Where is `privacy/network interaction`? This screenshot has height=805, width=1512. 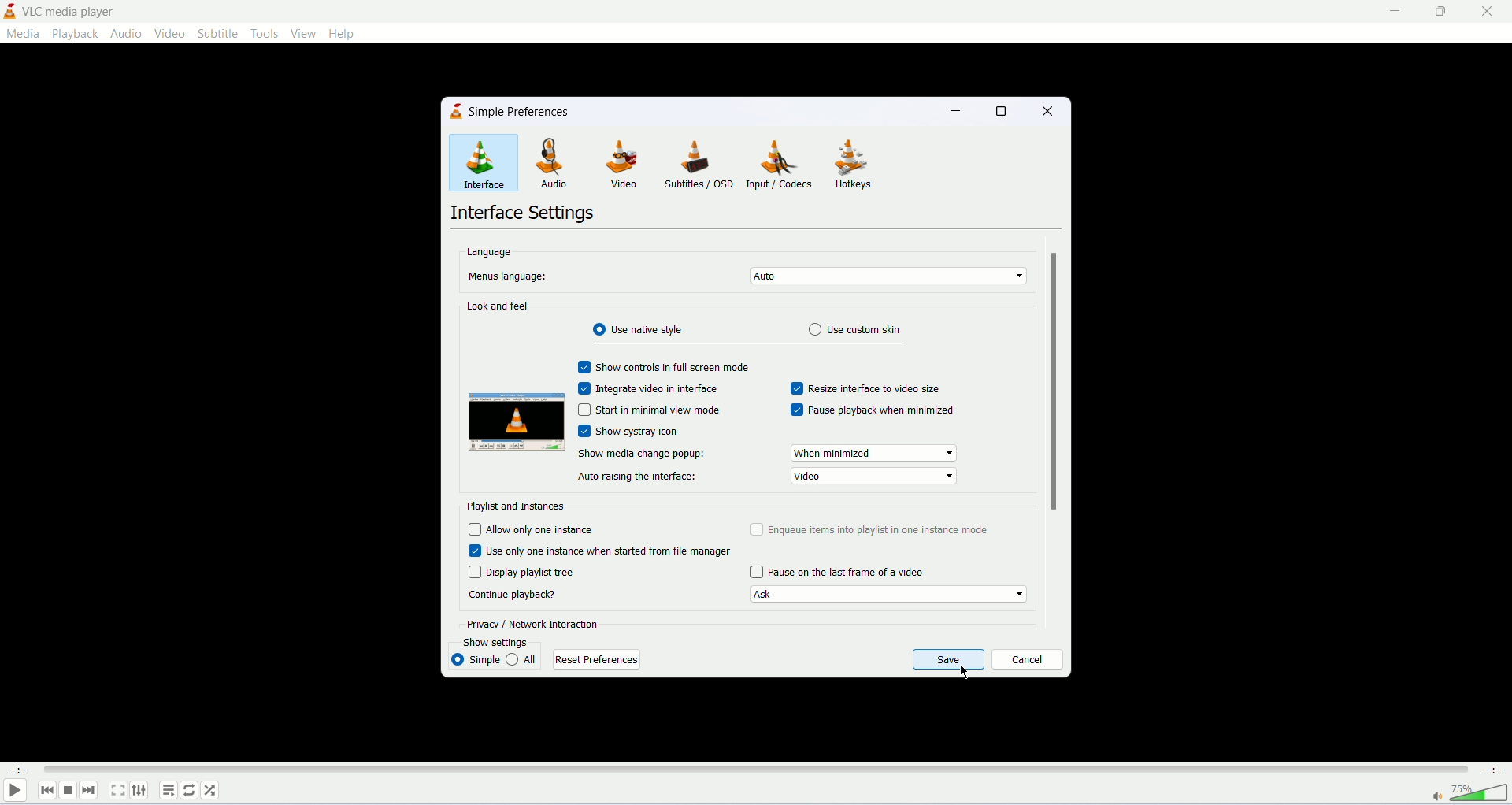
privacy/network interaction is located at coordinates (532, 623).